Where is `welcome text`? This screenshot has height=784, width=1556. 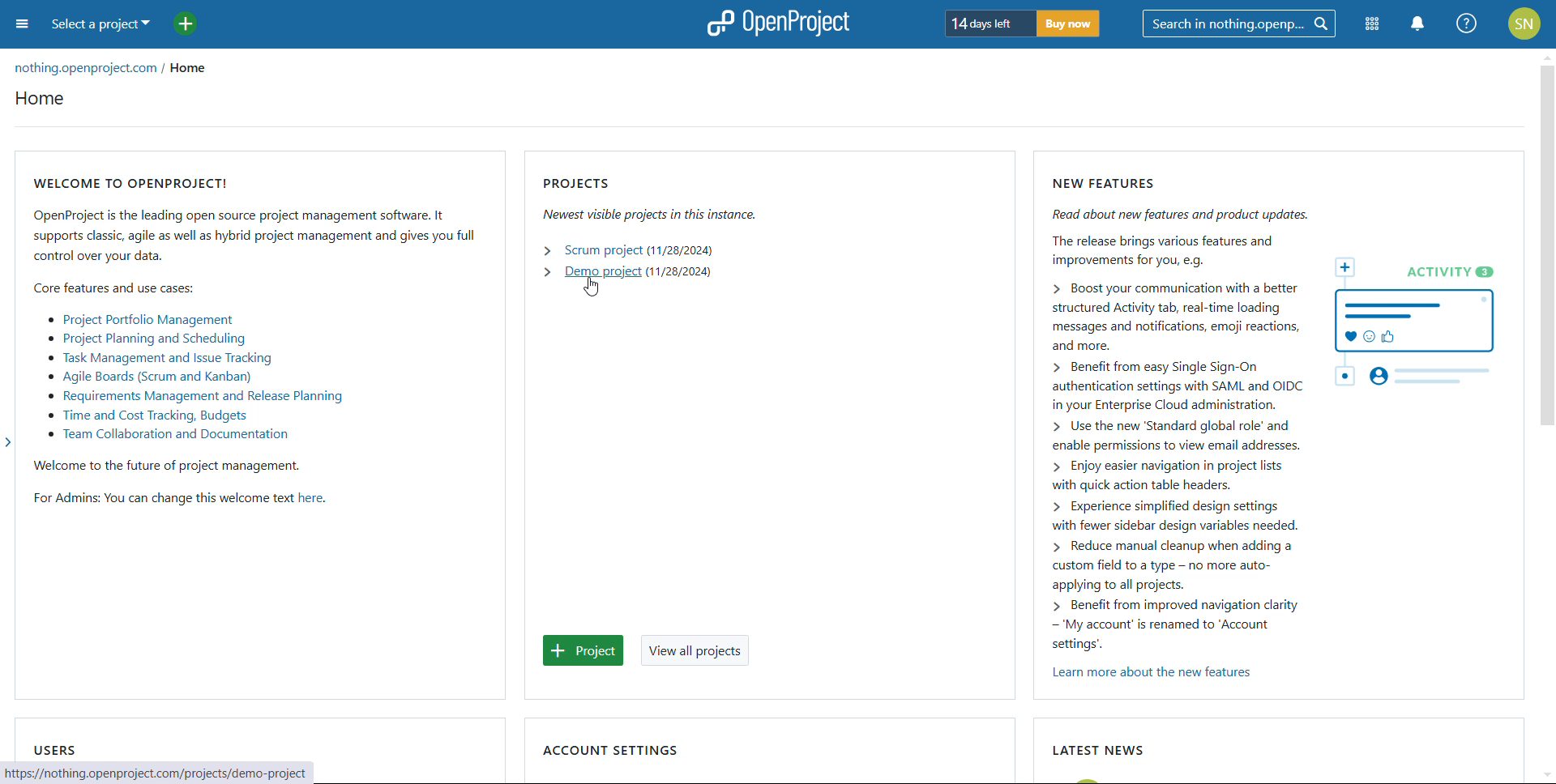
welcome text is located at coordinates (310, 498).